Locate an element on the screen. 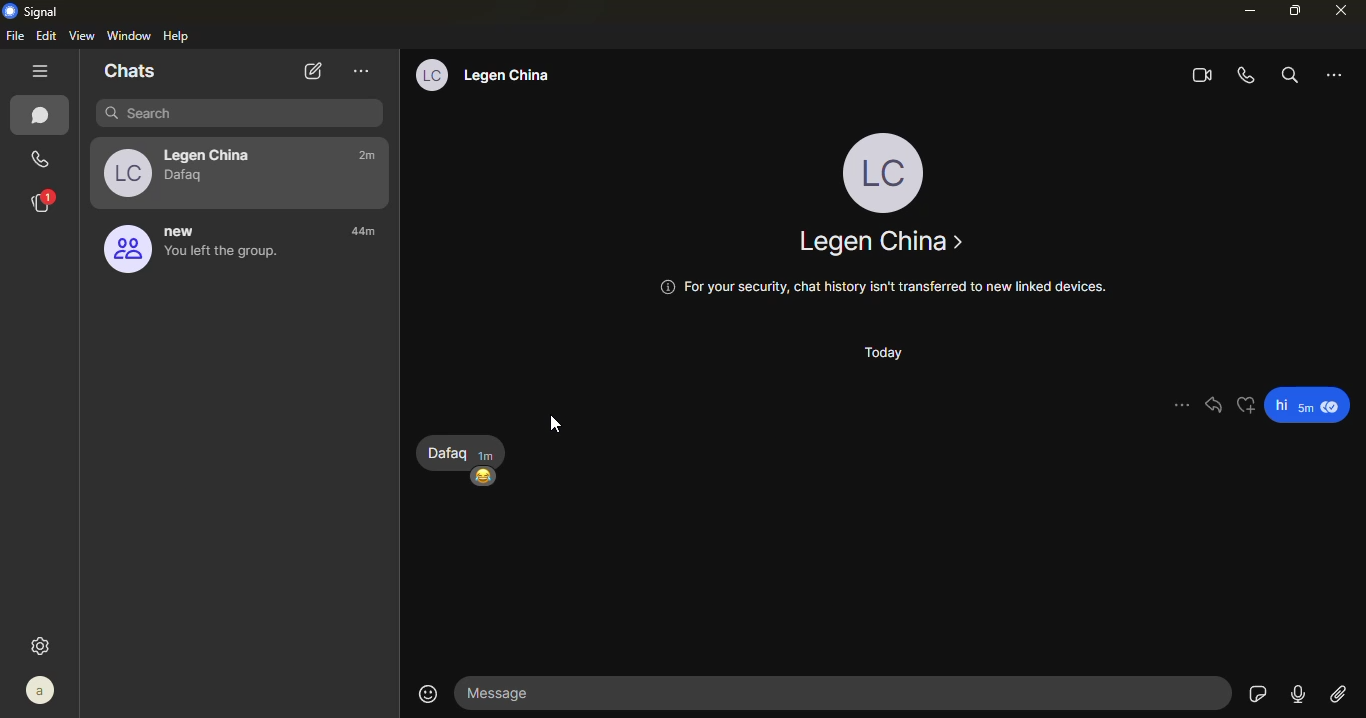 Image resolution: width=1366 pixels, height=718 pixels. search is located at coordinates (1287, 75).